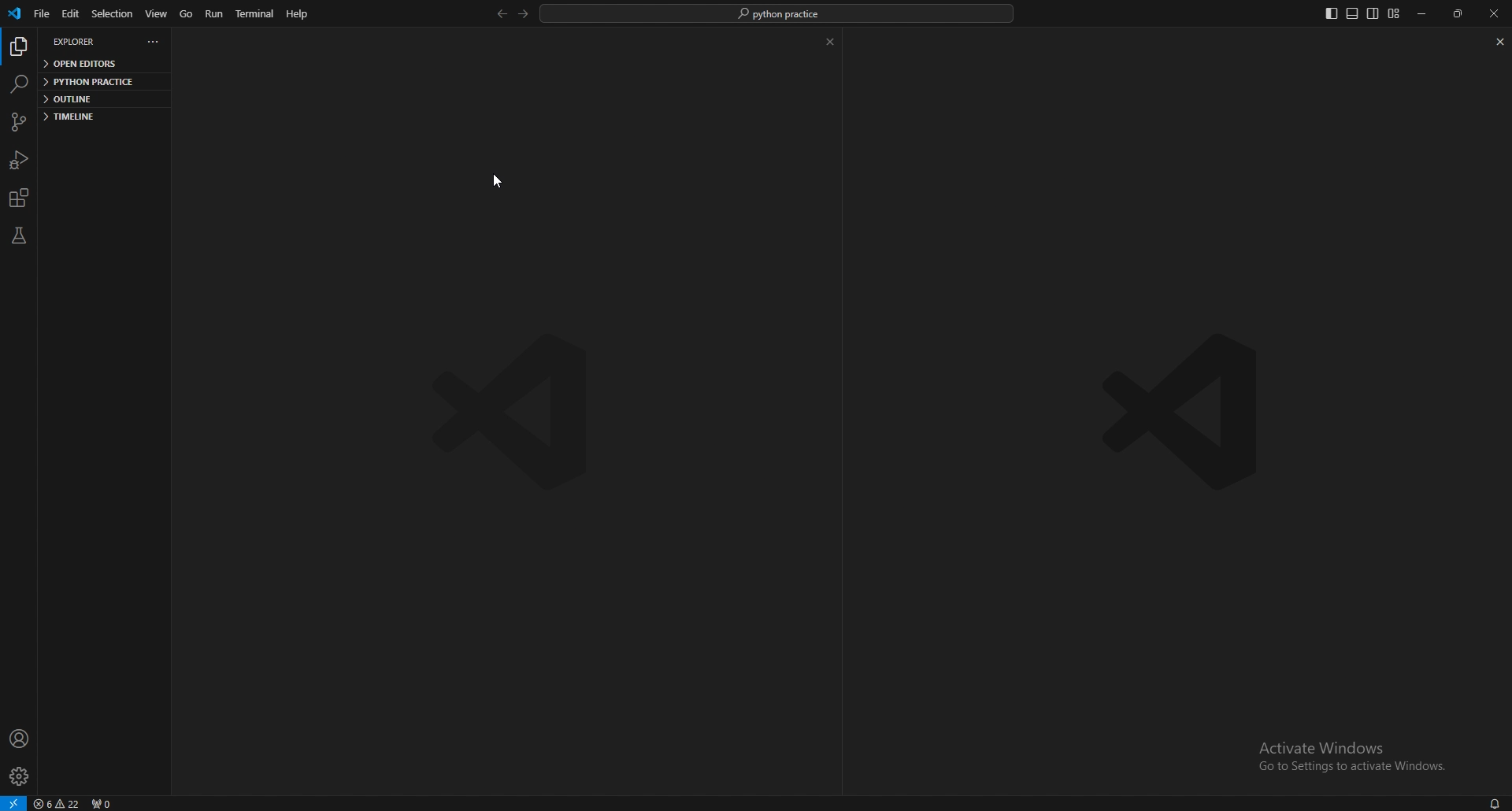 The width and height of the screenshot is (1512, 811). What do you see at coordinates (98, 80) in the screenshot?
I see `python practice` at bounding box center [98, 80].